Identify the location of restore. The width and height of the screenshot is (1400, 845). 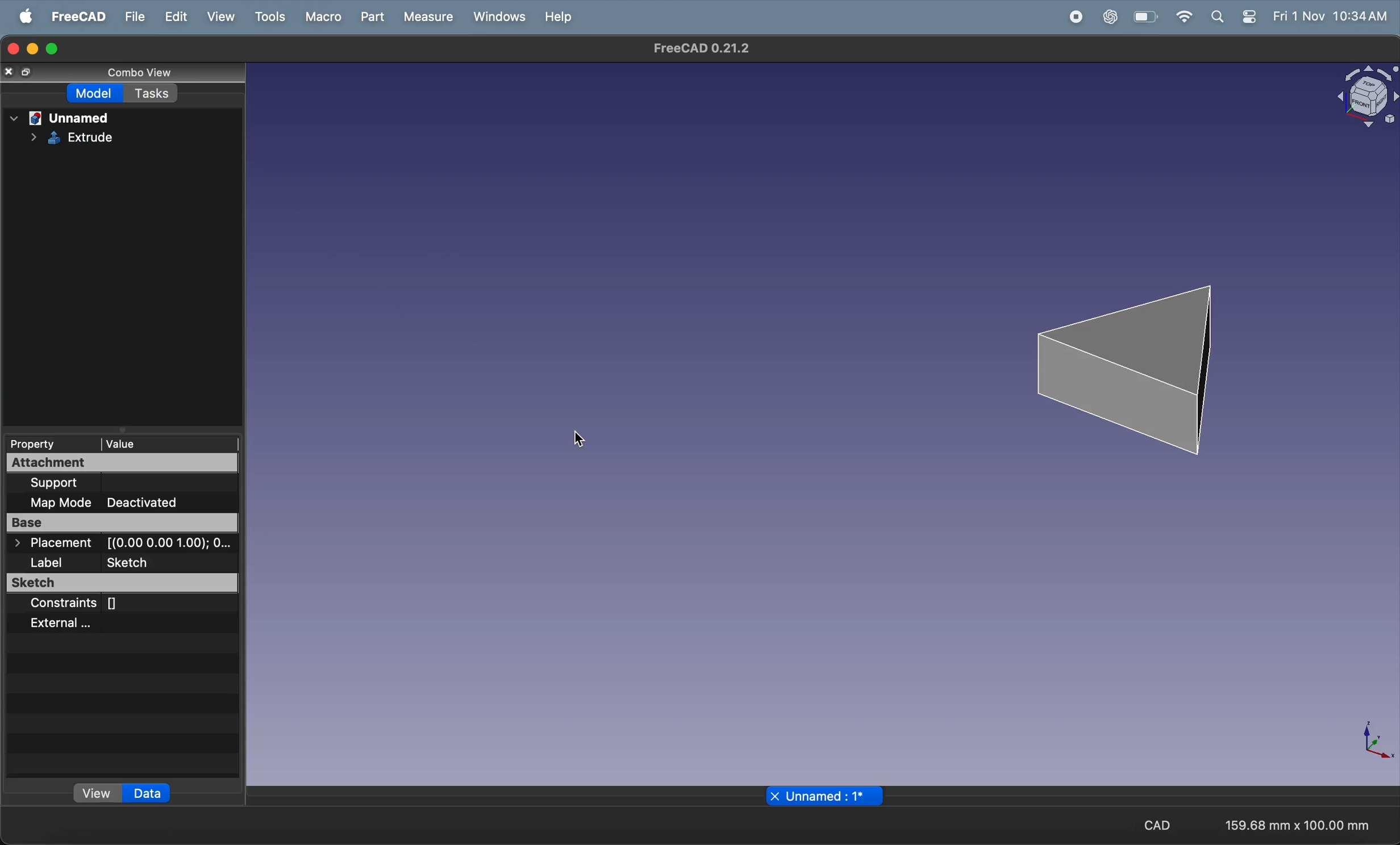
(29, 73).